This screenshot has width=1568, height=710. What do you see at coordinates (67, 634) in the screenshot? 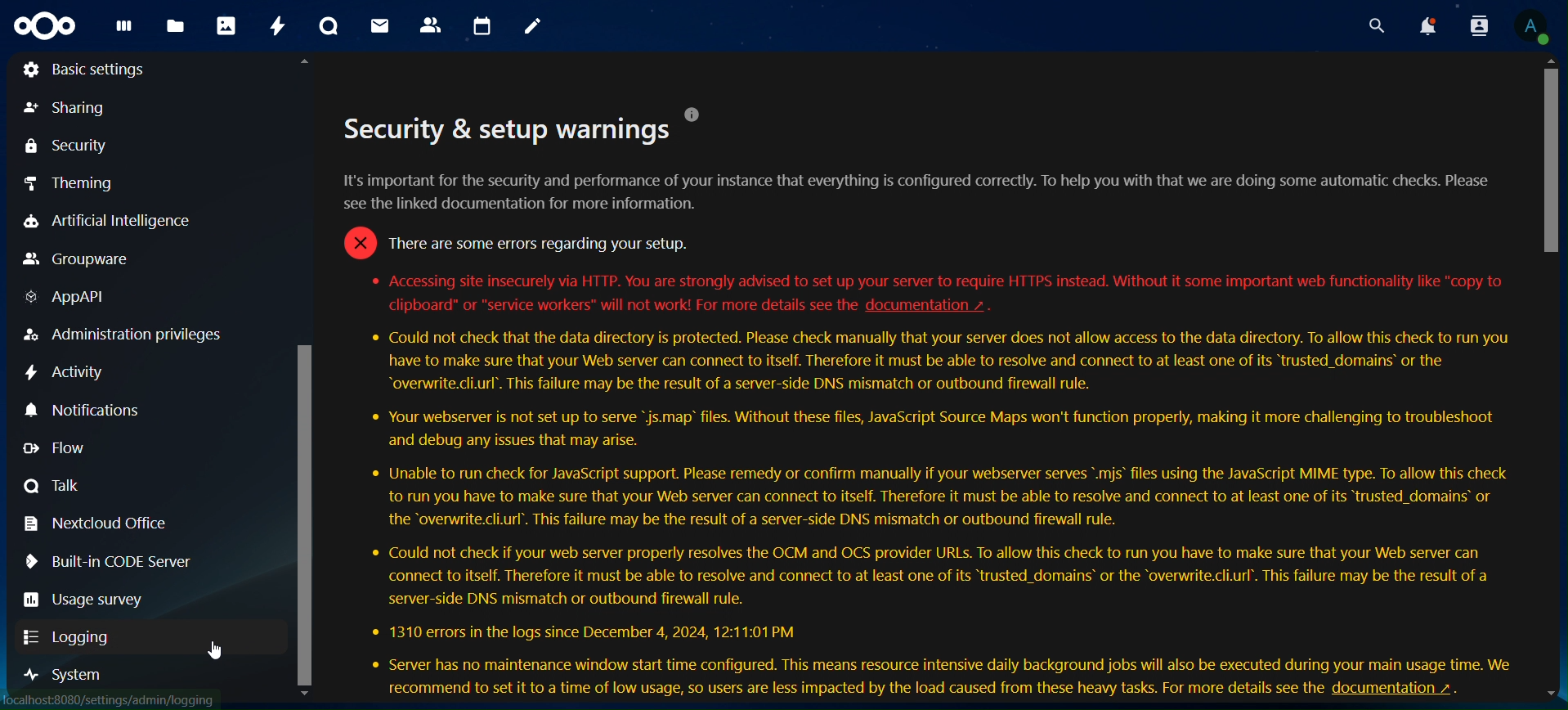
I see `logging` at bounding box center [67, 634].